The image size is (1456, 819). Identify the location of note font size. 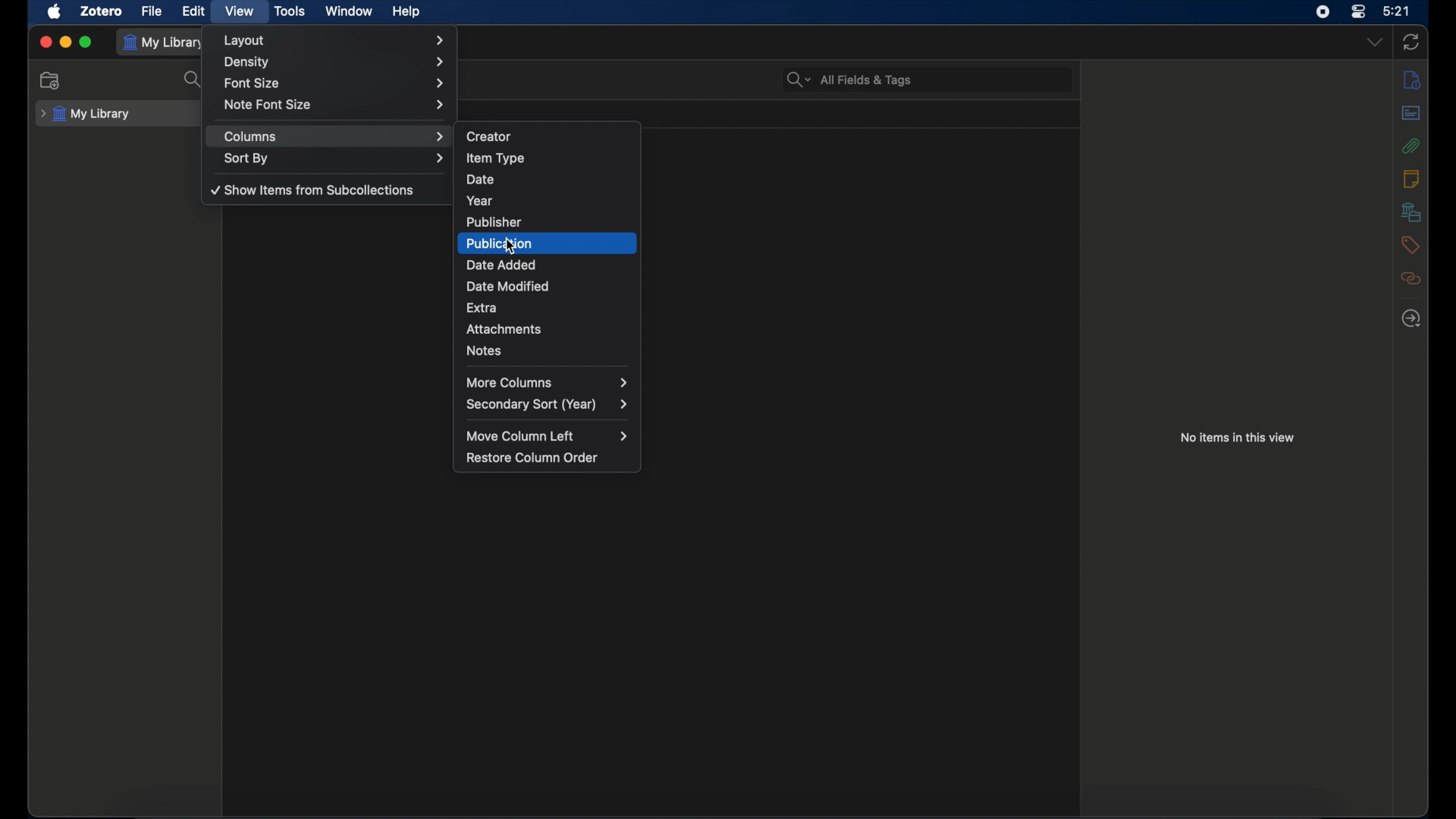
(337, 104).